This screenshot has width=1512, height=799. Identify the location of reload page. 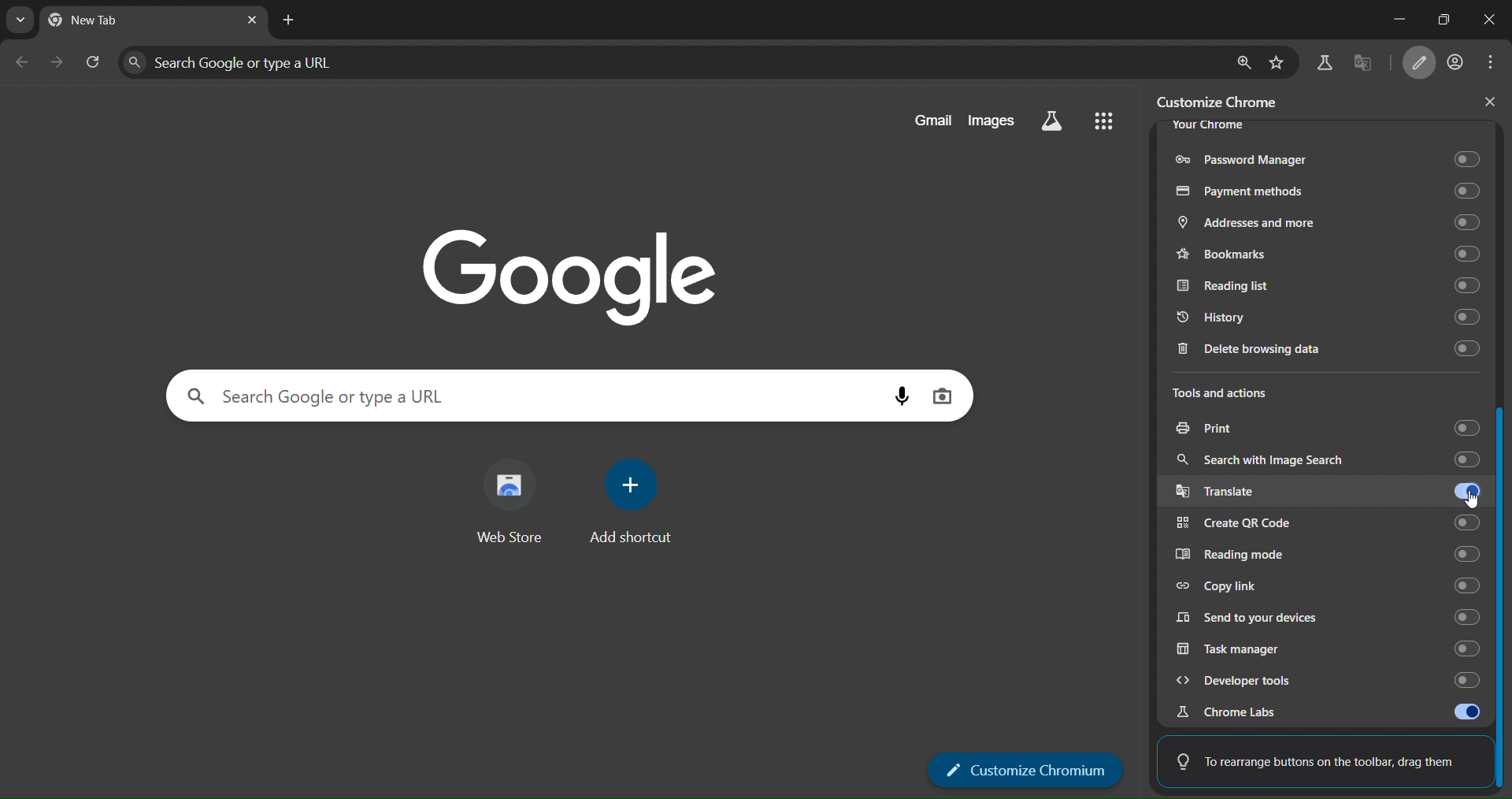
(94, 63).